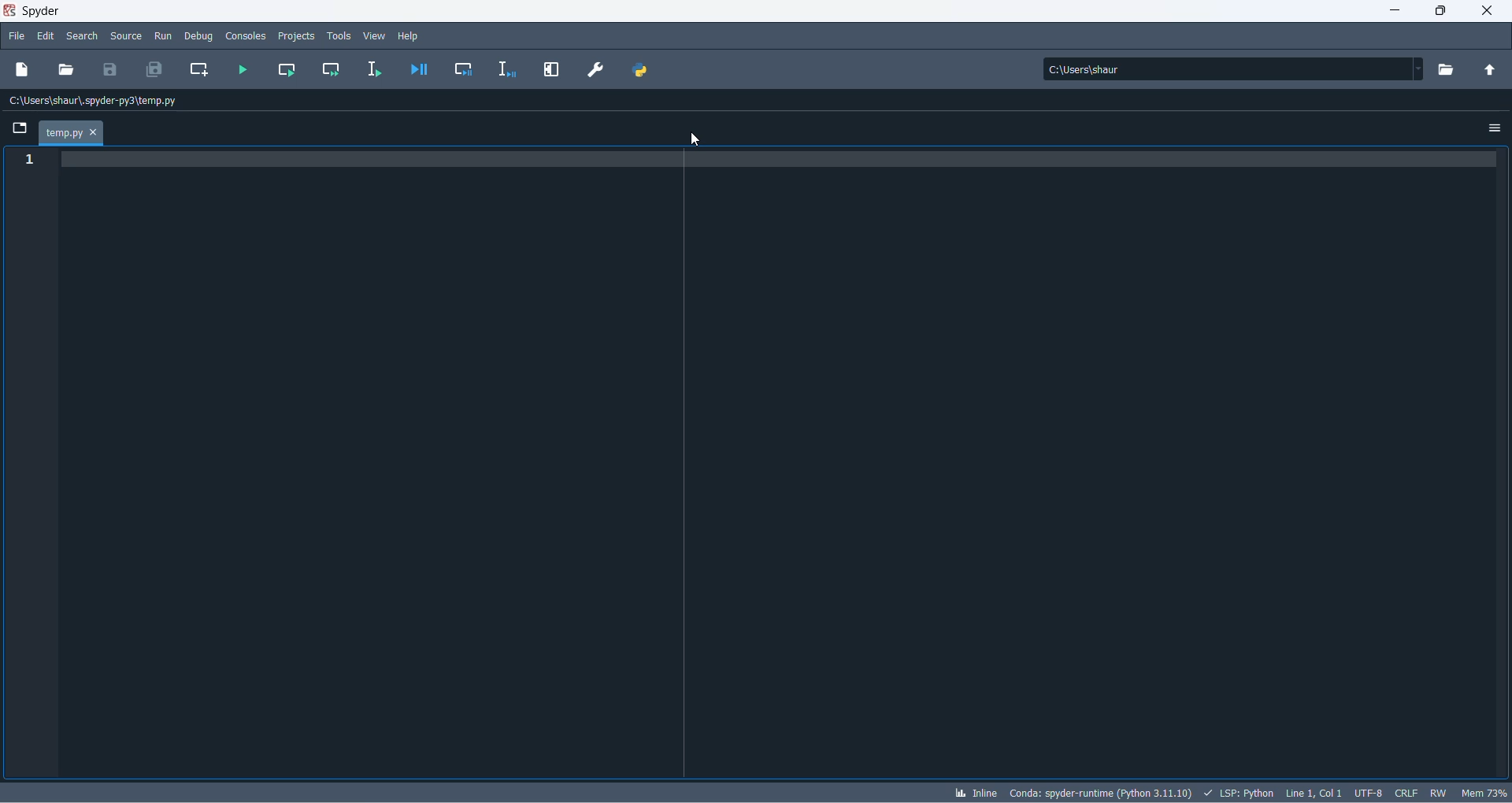 This screenshot has height=803, width=1512. What do you see at coordinates (974, 792) in the screenshot?
I see `inline` at bounding box center [974, 792].